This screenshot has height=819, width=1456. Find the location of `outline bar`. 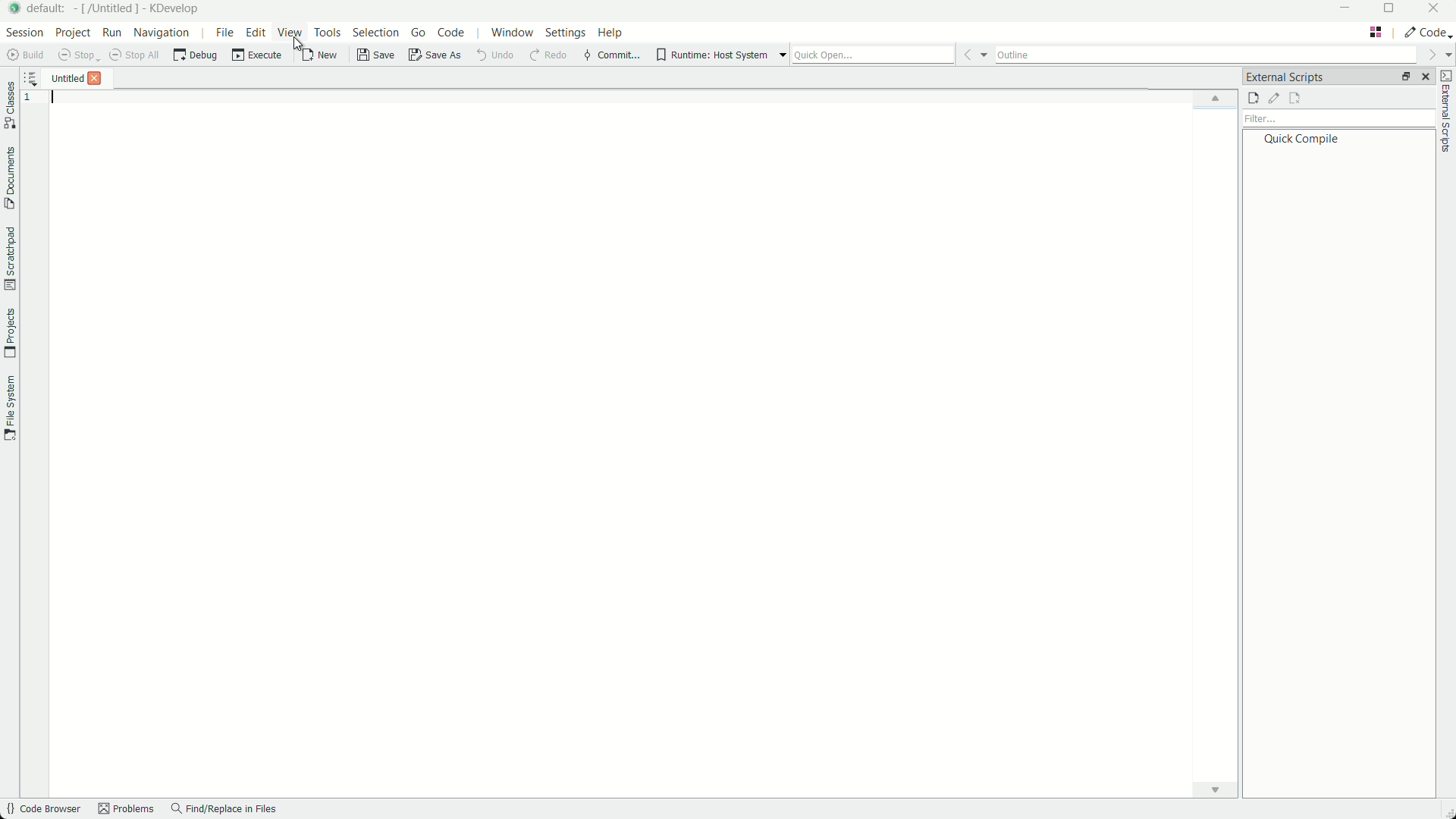

outline bar is located at coordinates (1223, 55).